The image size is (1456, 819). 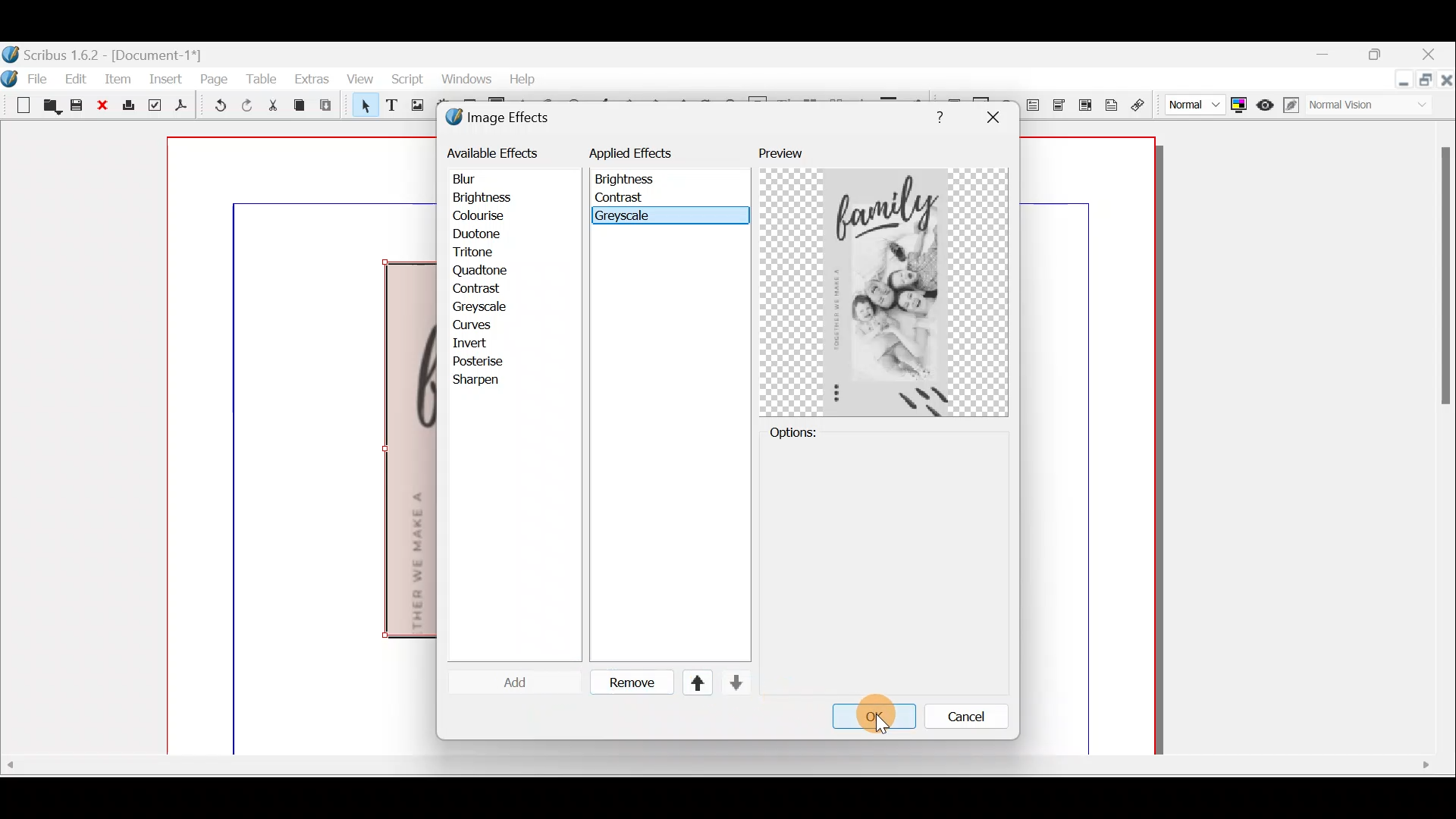 What do you see at coordinates (1061, 110) in the screenshot?
I see `PDF combo box` at bounding box center [1061, 110].